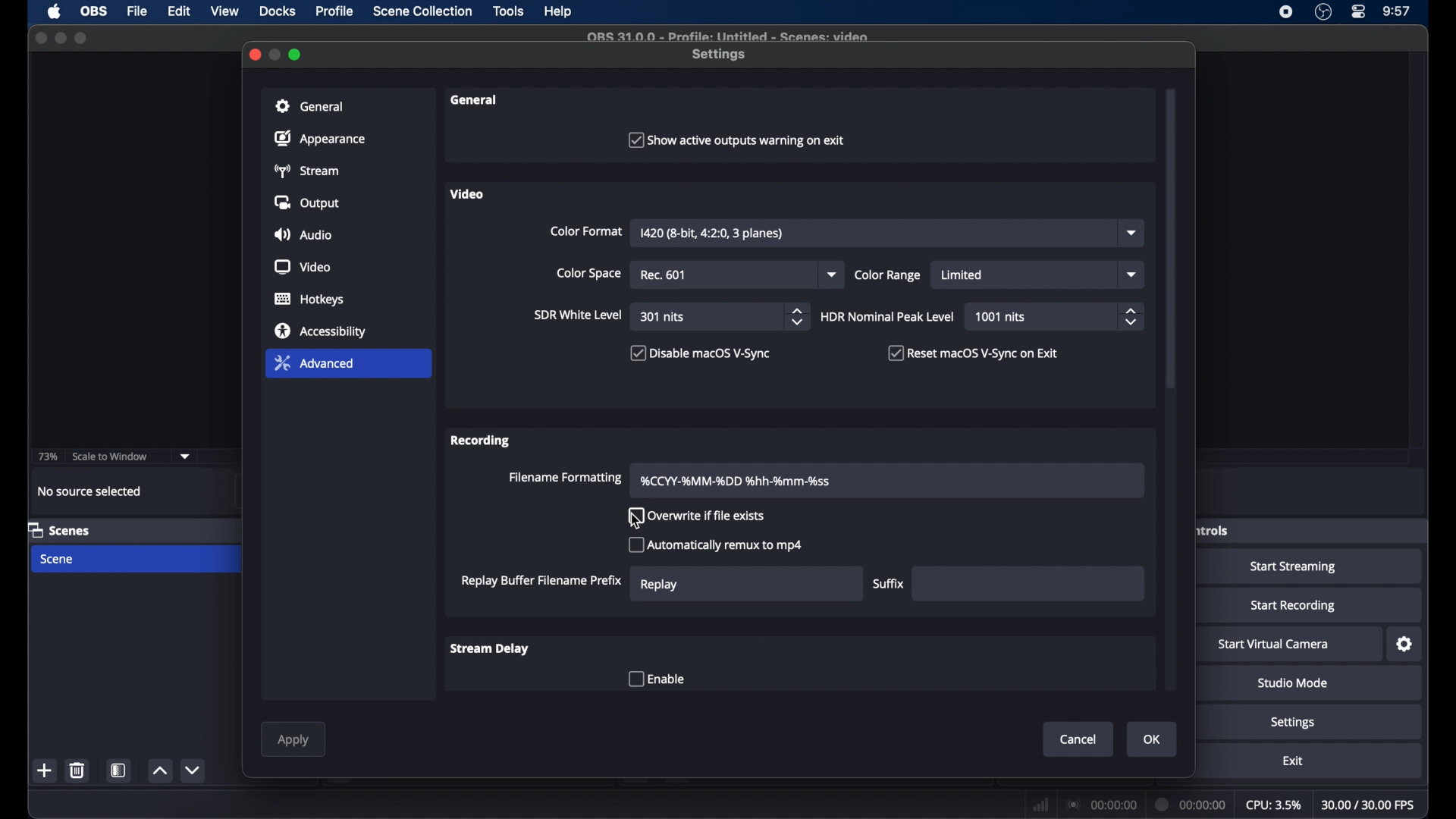 The height and width of the screenshot is (819, 1456). I want to click on scene collection, so click(424, 11).